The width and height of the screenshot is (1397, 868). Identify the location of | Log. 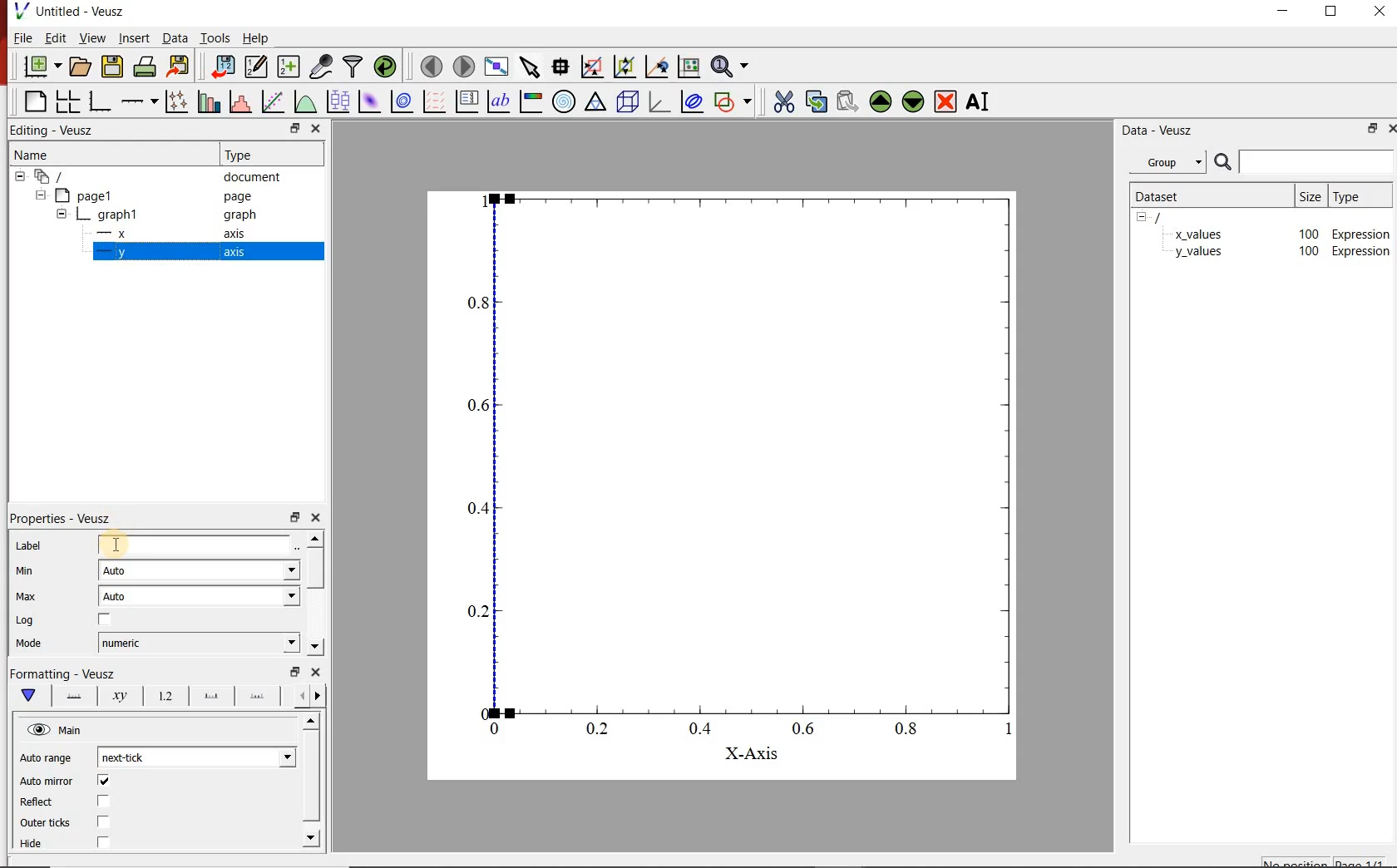
(27, 621).